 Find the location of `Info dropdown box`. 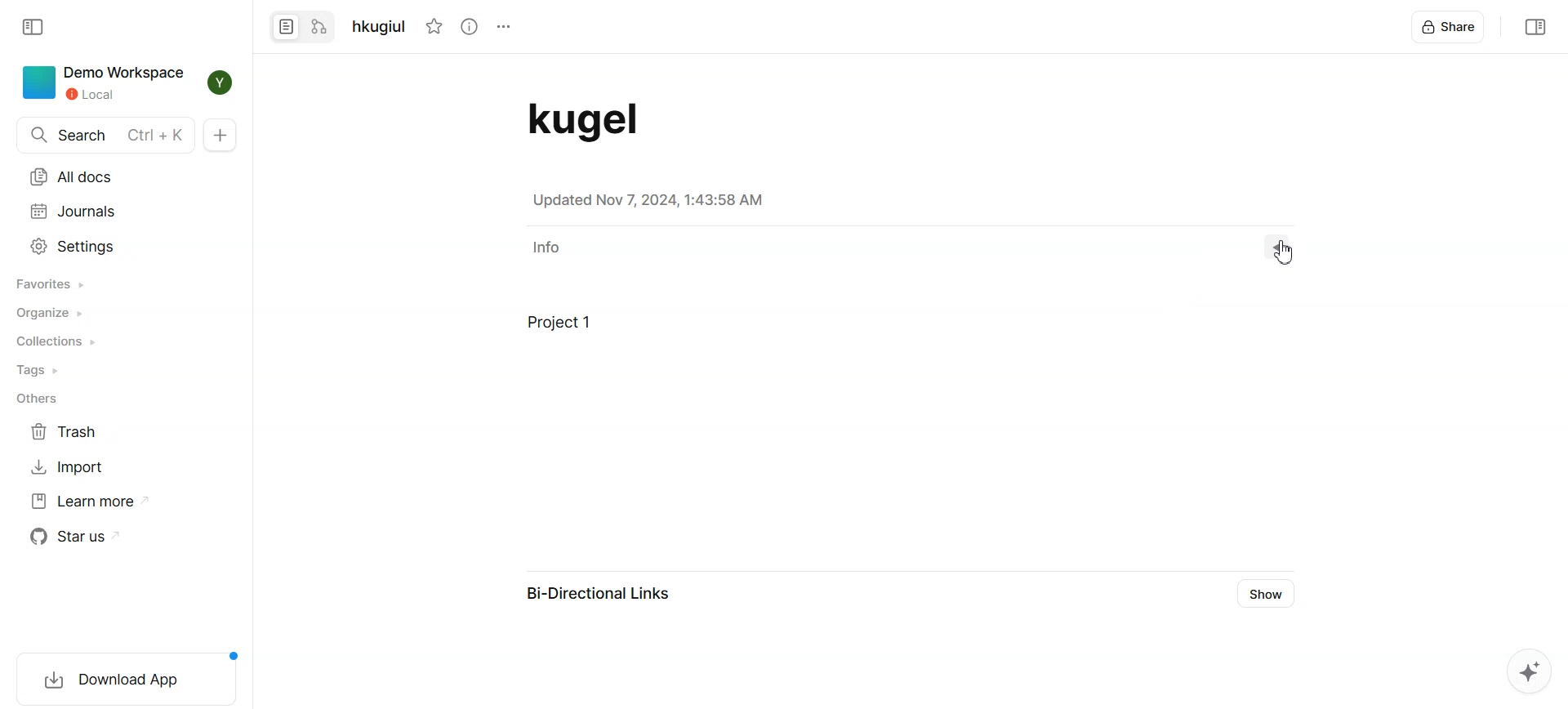

Info dropdown box is located at coordinates (1287, 247).